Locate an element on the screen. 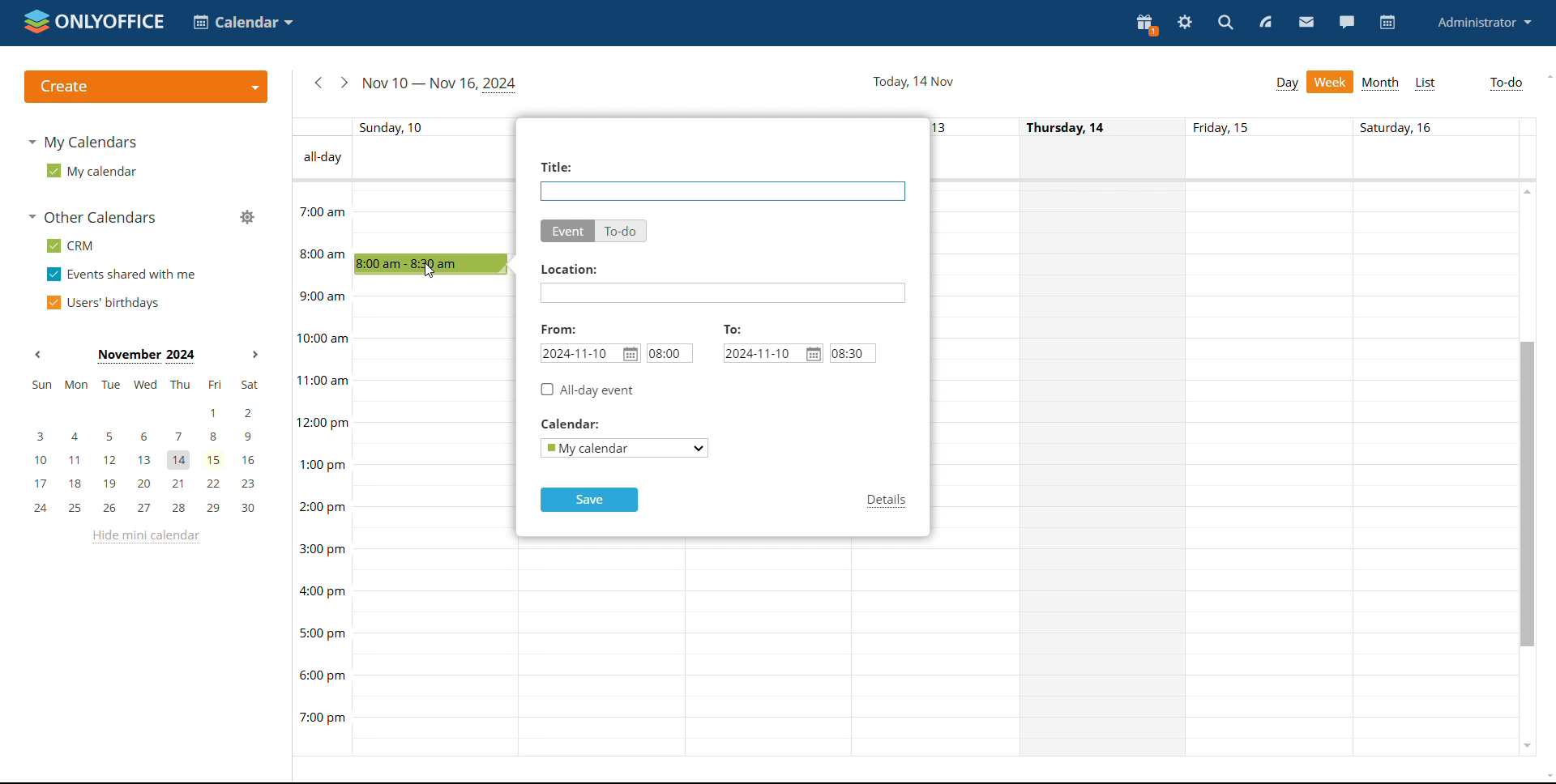  8:00-8:30 timeblock is located at coordinates (430, 264).